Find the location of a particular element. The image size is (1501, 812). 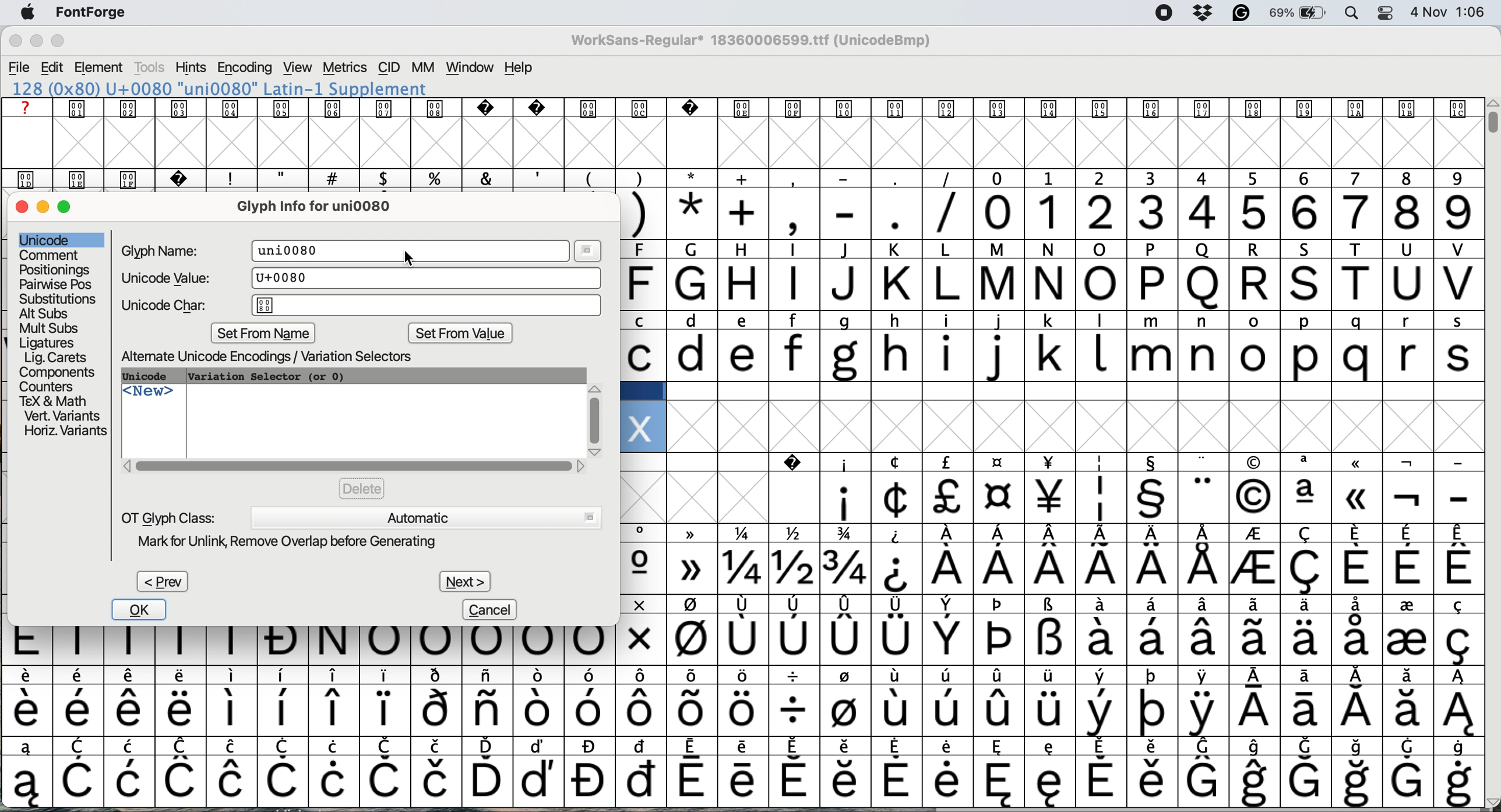

special characters and text is located at coordinates (1038, 252).